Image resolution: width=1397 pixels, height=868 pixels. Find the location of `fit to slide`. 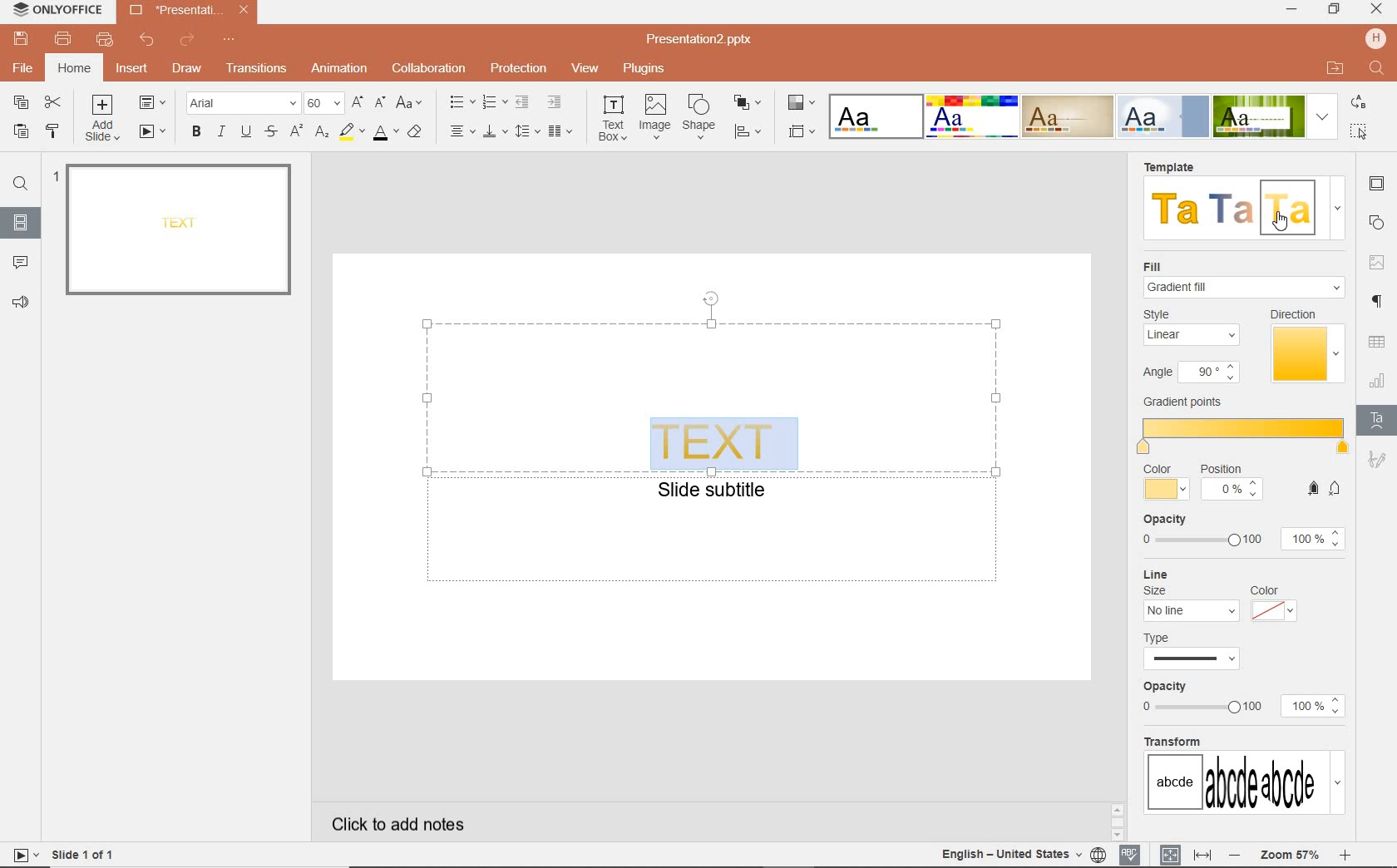

fit to slide is located at coordinates (1166, 856).